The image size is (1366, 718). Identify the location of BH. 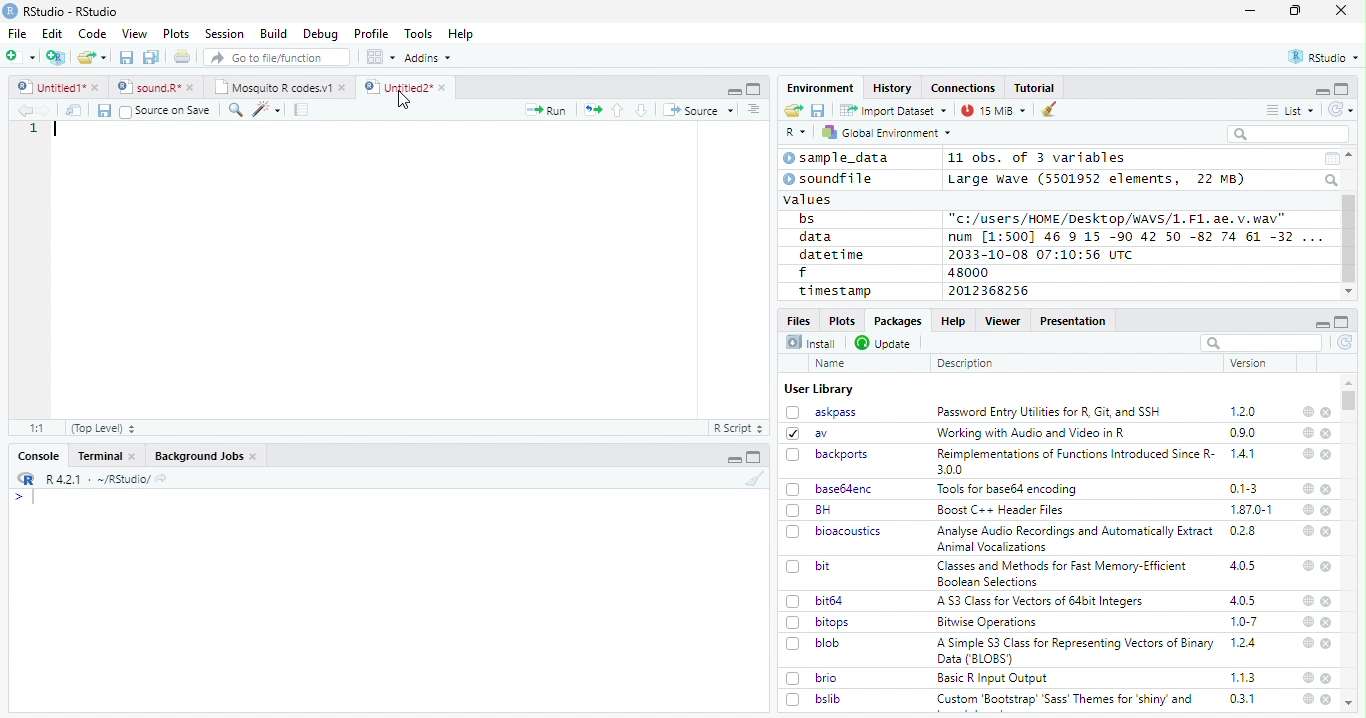
(811, 510).